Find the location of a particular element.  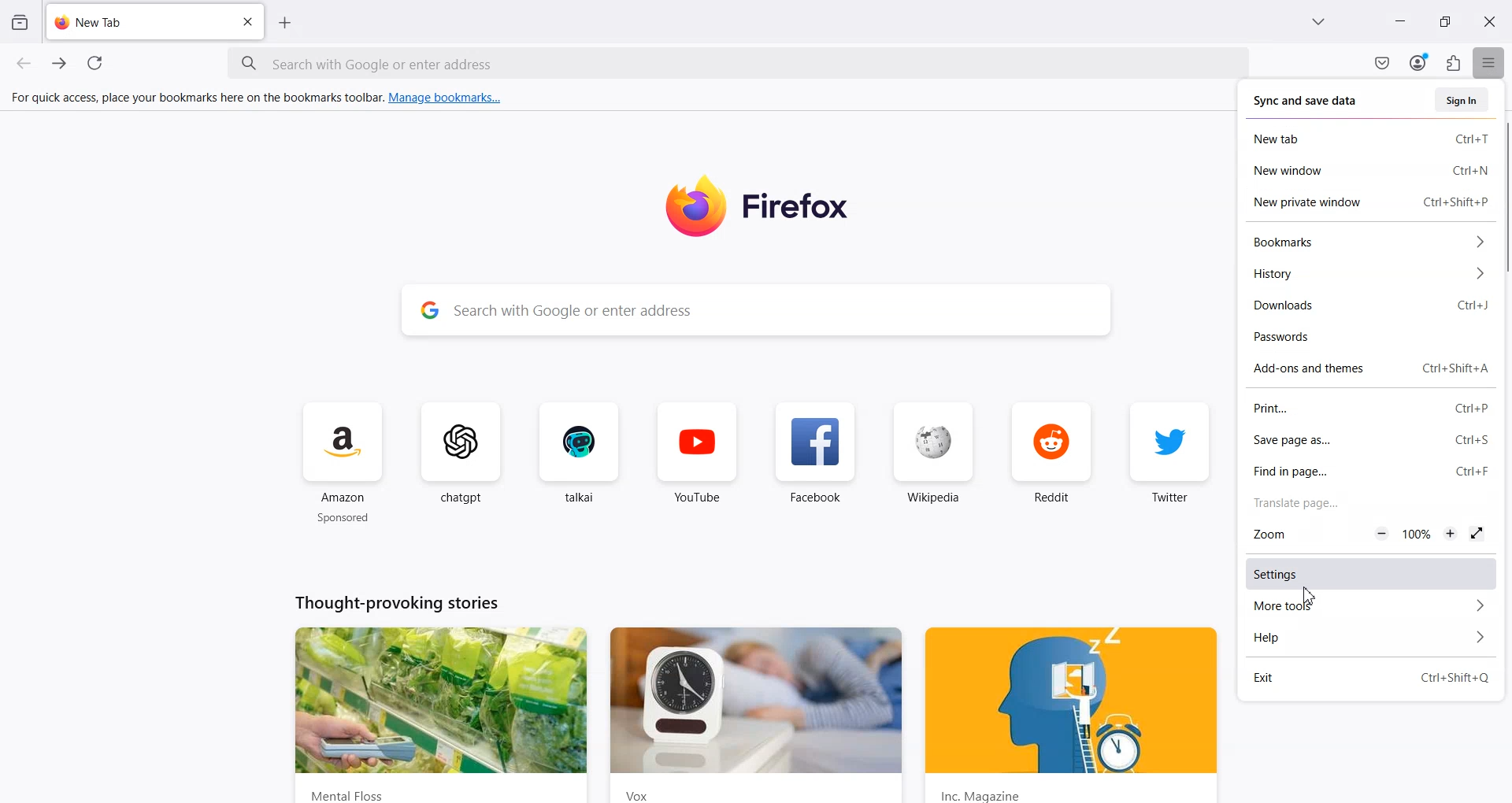

Backward is located at coordinates (25, 64).